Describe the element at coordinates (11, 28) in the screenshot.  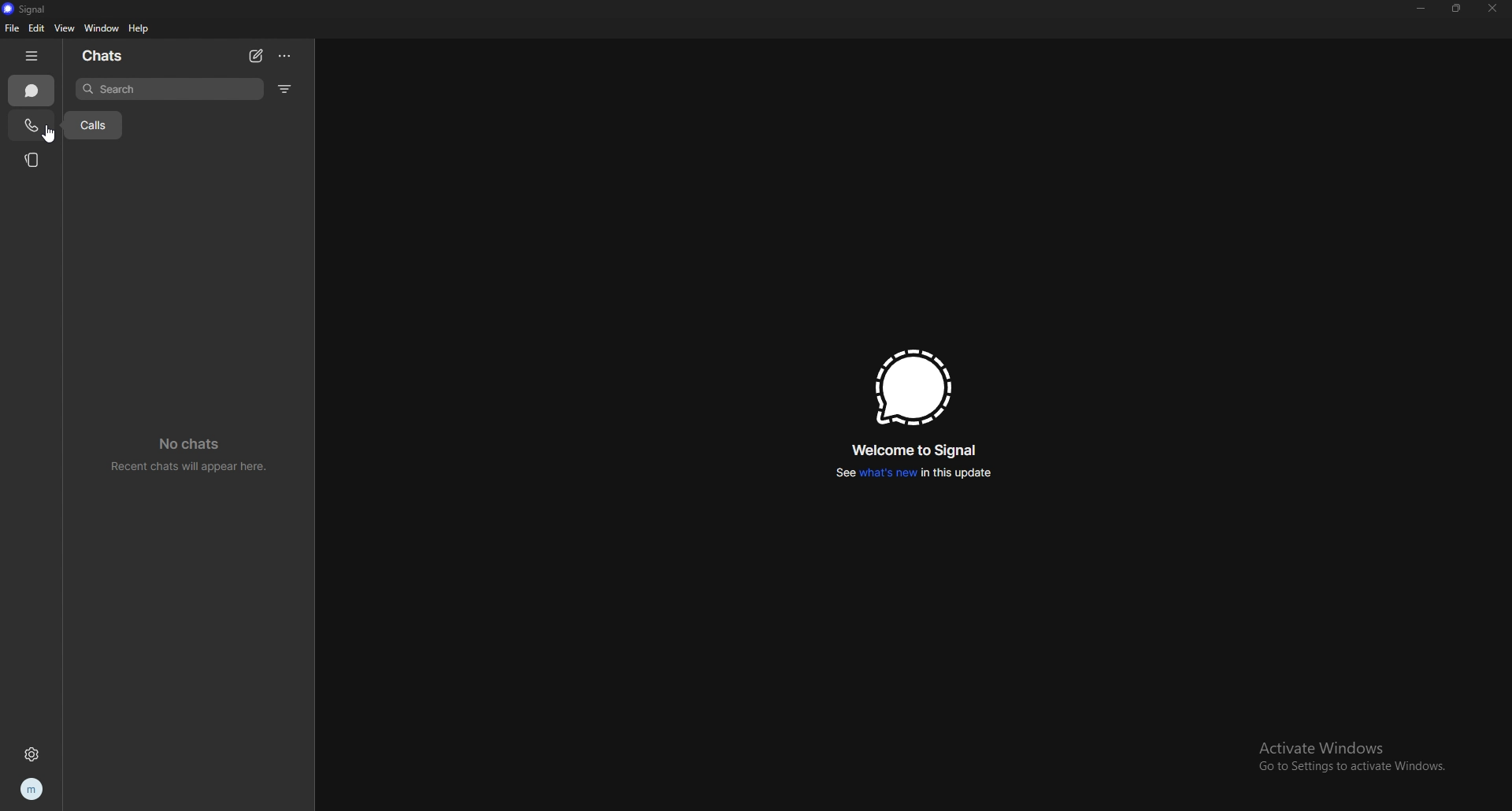
I see `file` at that location.